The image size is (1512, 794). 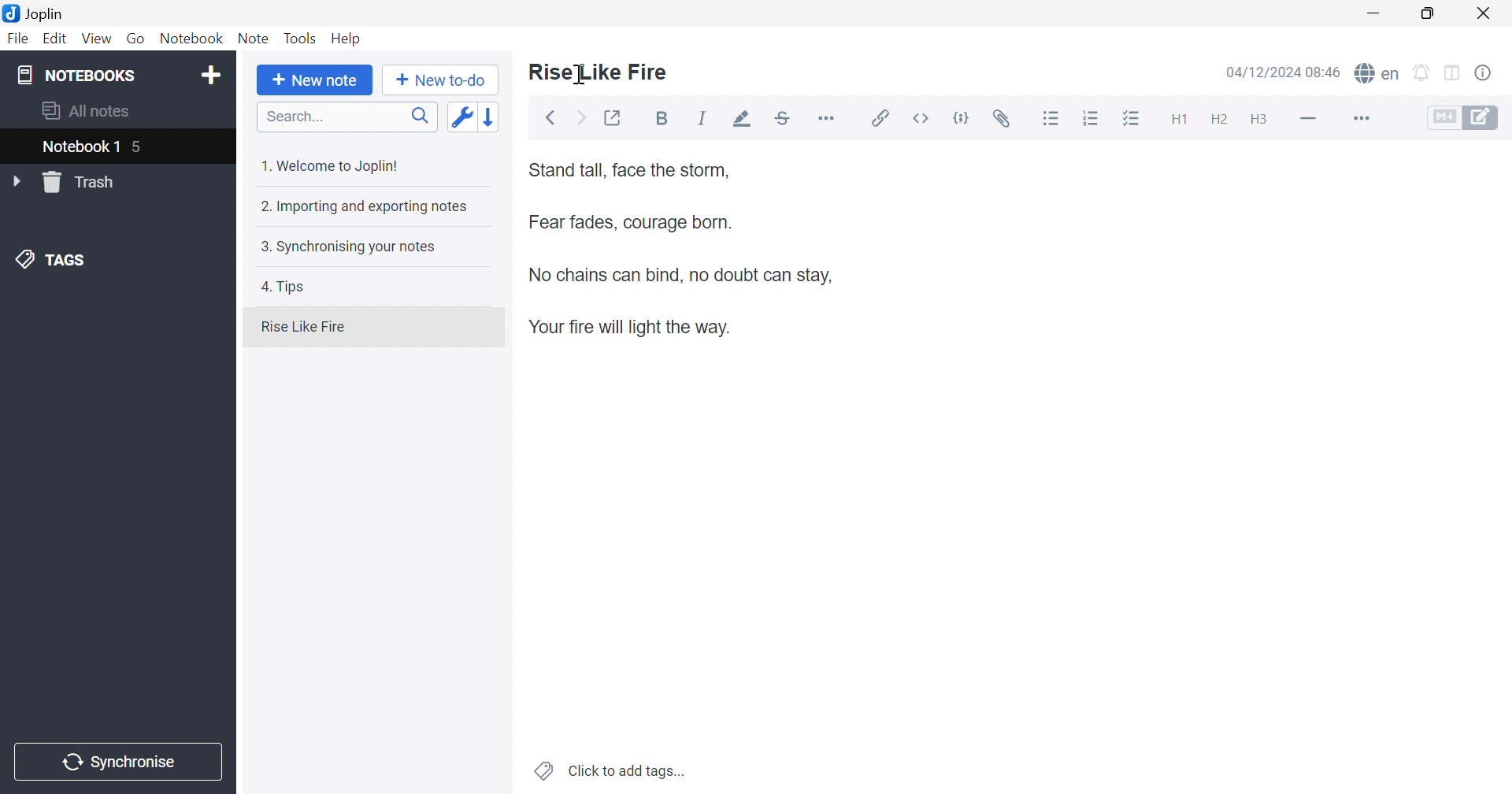 What do you see at coordinates (56, 261) in the screenshot?
I see `TAGS` at bounding box center [56, 261].